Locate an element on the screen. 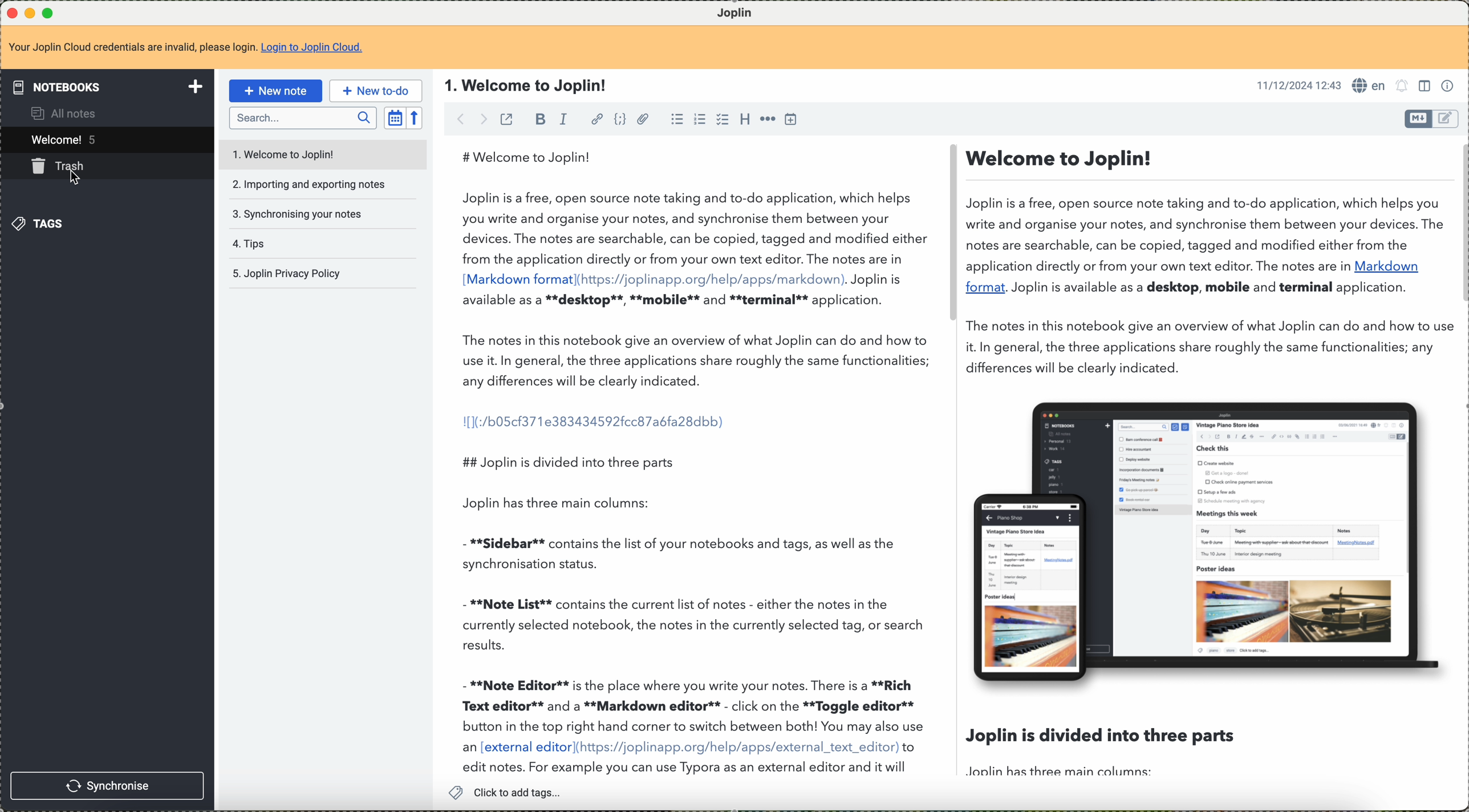 This screenshot has height=812, width=1469. cursor is located at coordinates (71, 173).